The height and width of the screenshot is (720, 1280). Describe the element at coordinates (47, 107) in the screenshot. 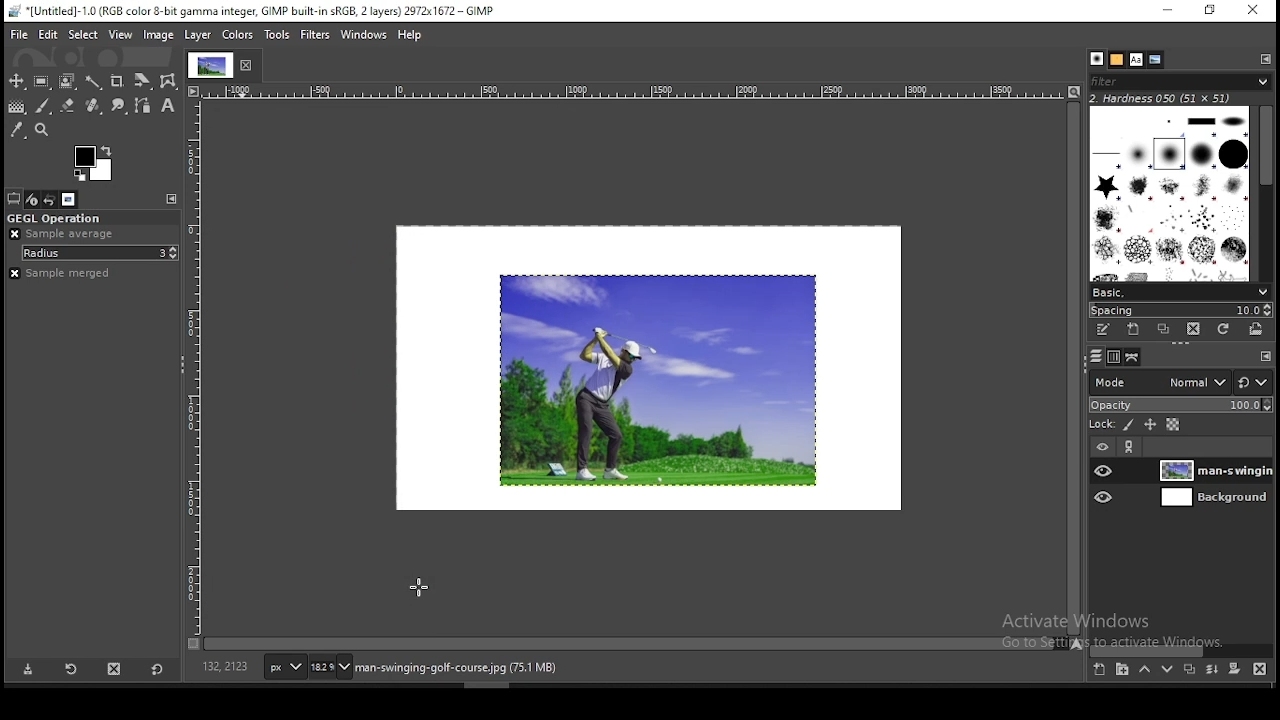

I see `brush tool` at that location.